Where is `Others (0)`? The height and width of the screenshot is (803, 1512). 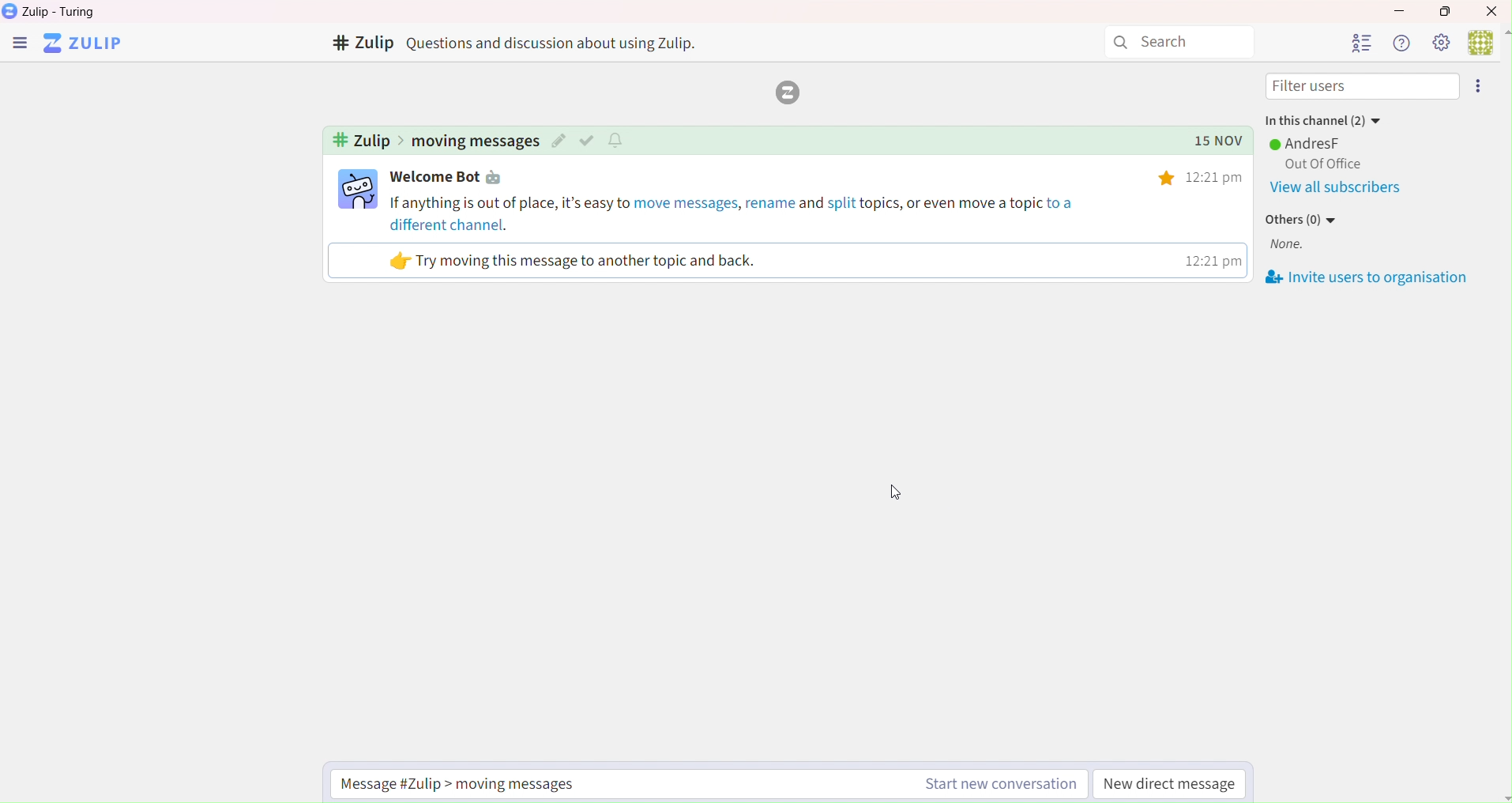 Others (0) is located at coordinates (1303, 221).